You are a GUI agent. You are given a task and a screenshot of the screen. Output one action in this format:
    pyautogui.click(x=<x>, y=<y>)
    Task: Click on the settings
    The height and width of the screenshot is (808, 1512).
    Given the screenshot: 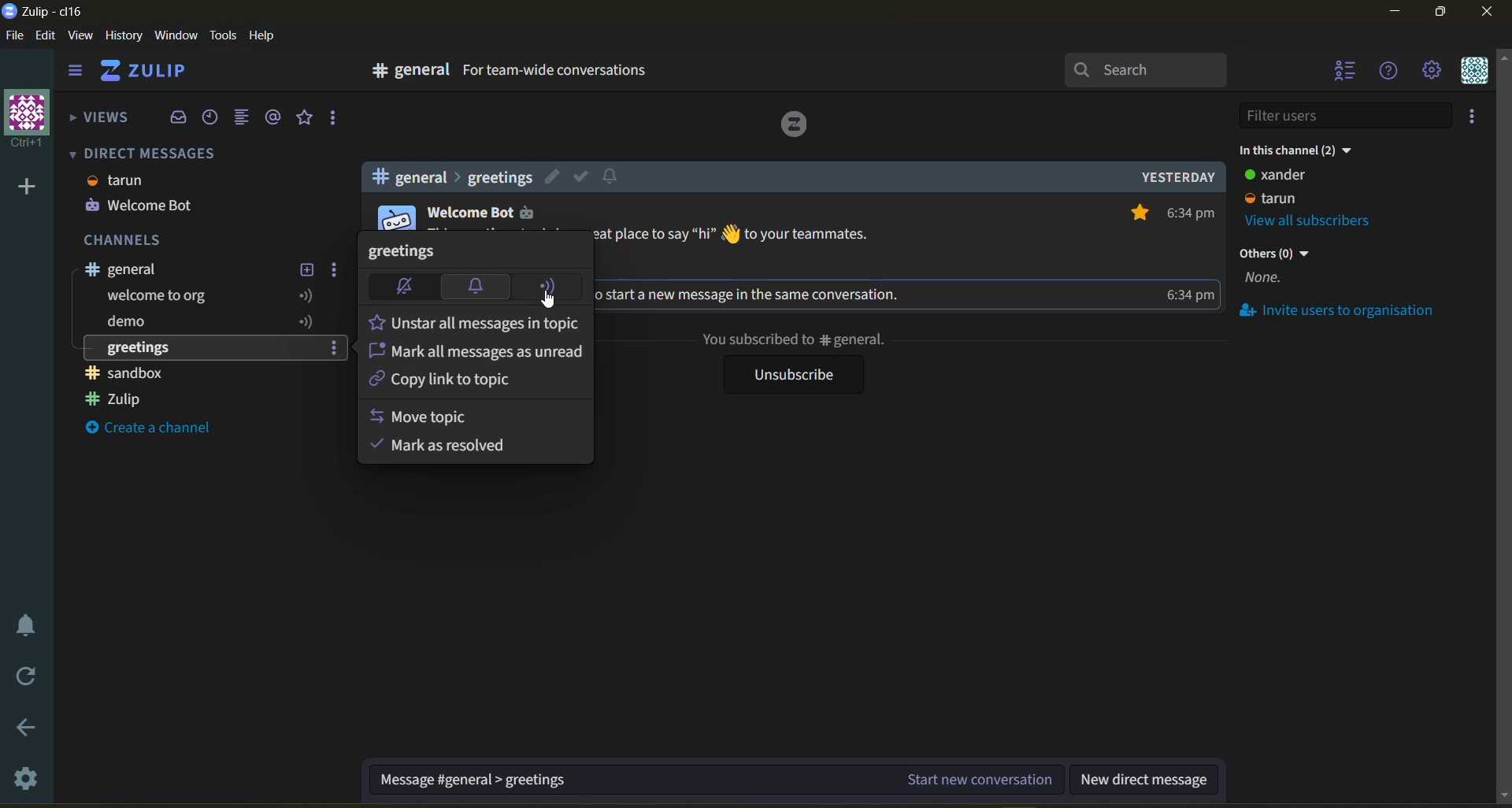 What is the action you would take?
    pyautogui.click(x=335, y=270)
    